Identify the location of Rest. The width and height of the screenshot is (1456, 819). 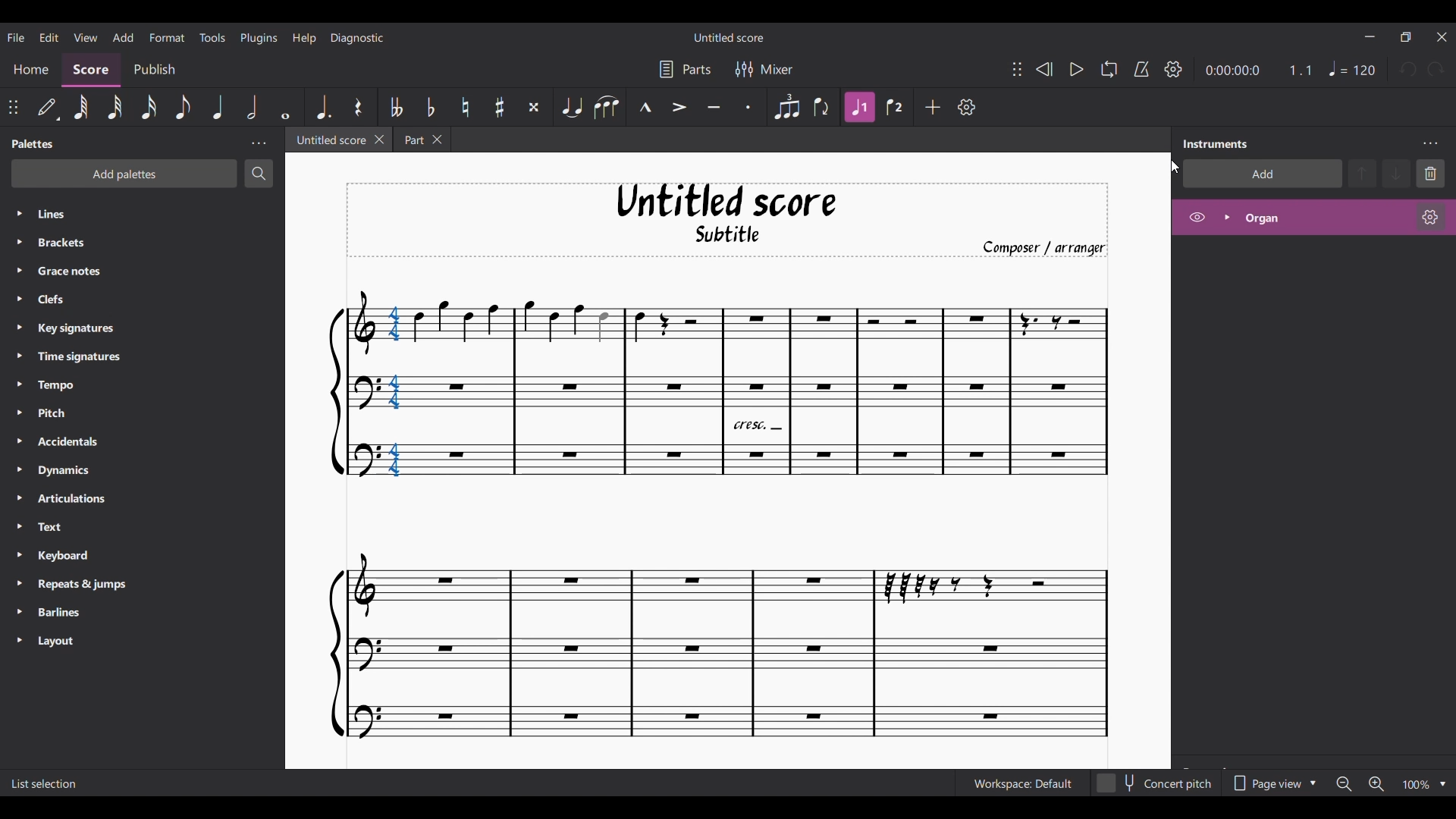
(357, 107).